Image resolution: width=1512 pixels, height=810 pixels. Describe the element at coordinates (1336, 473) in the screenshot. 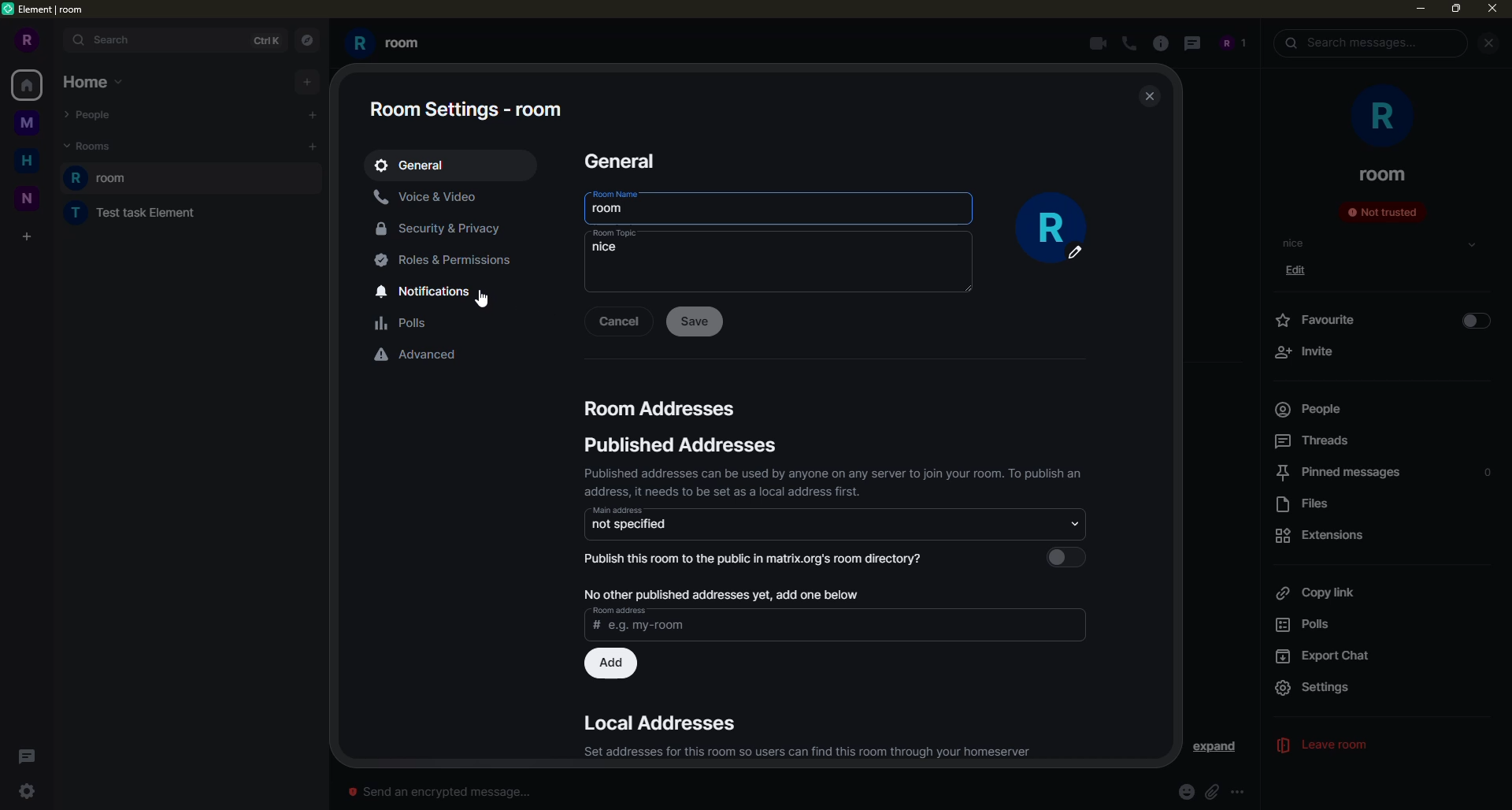

I see `pinned messages` at that location.